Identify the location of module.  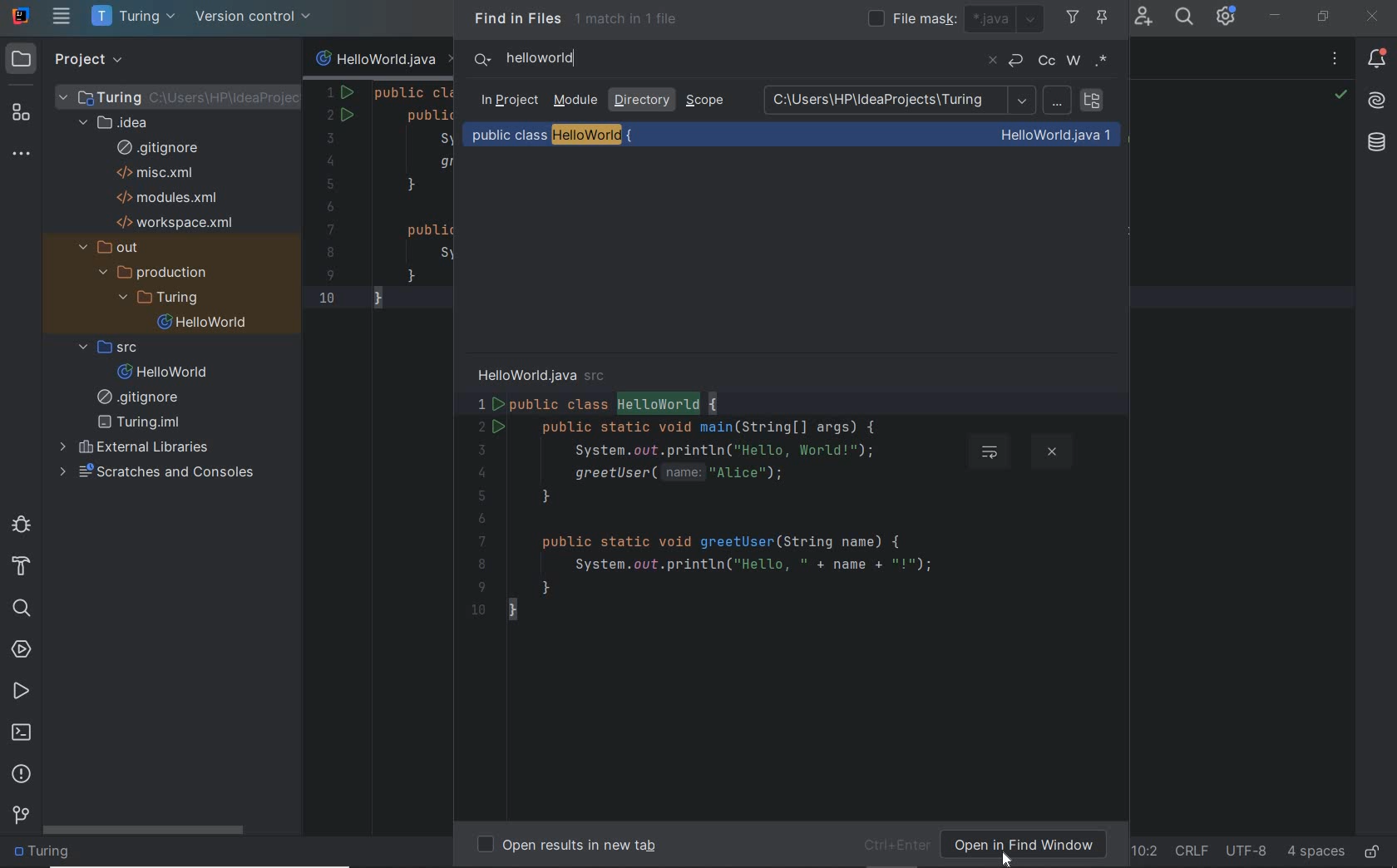
(579, 101).